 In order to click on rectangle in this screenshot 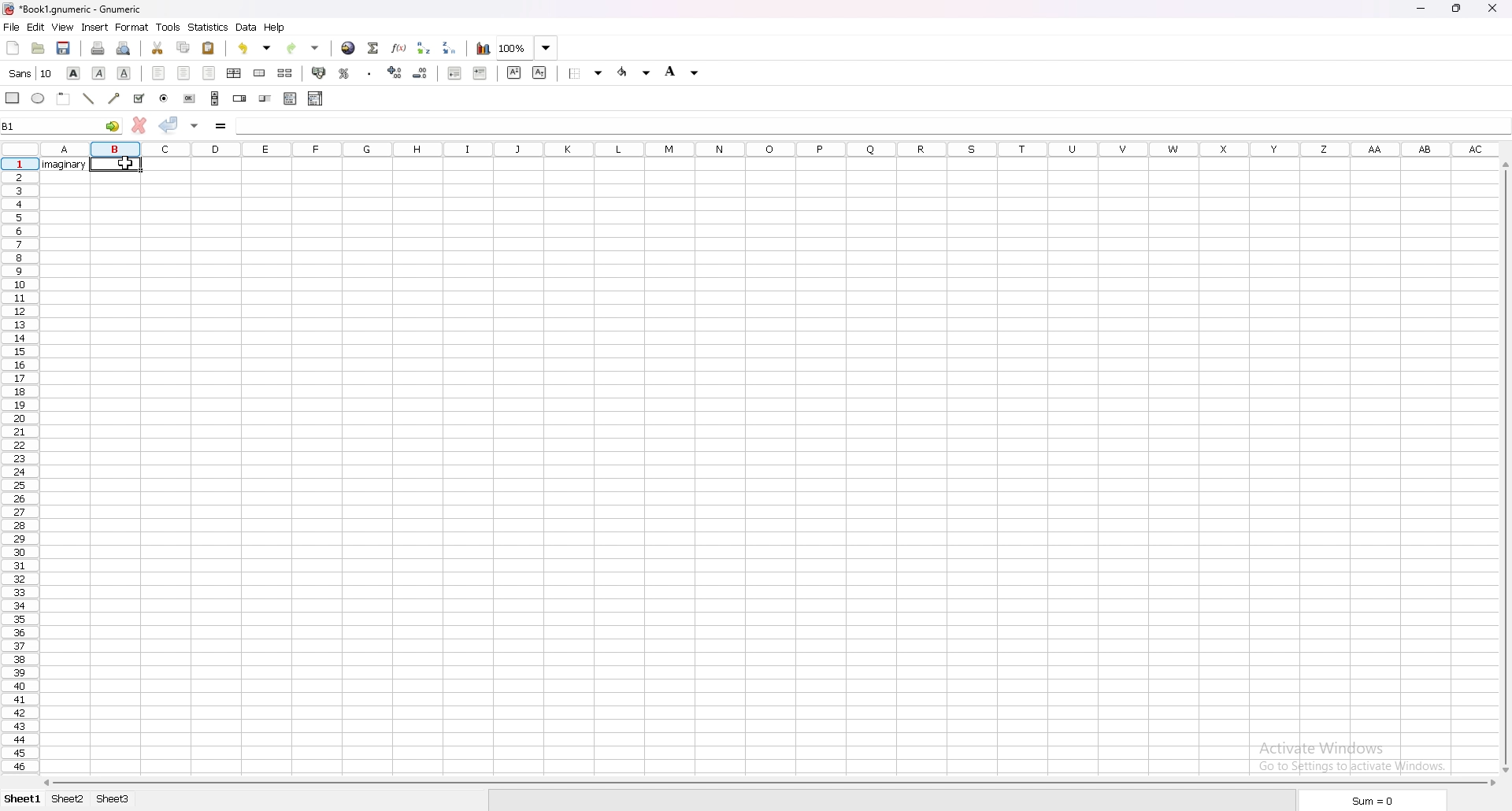, I will do `click(12, 98)`.